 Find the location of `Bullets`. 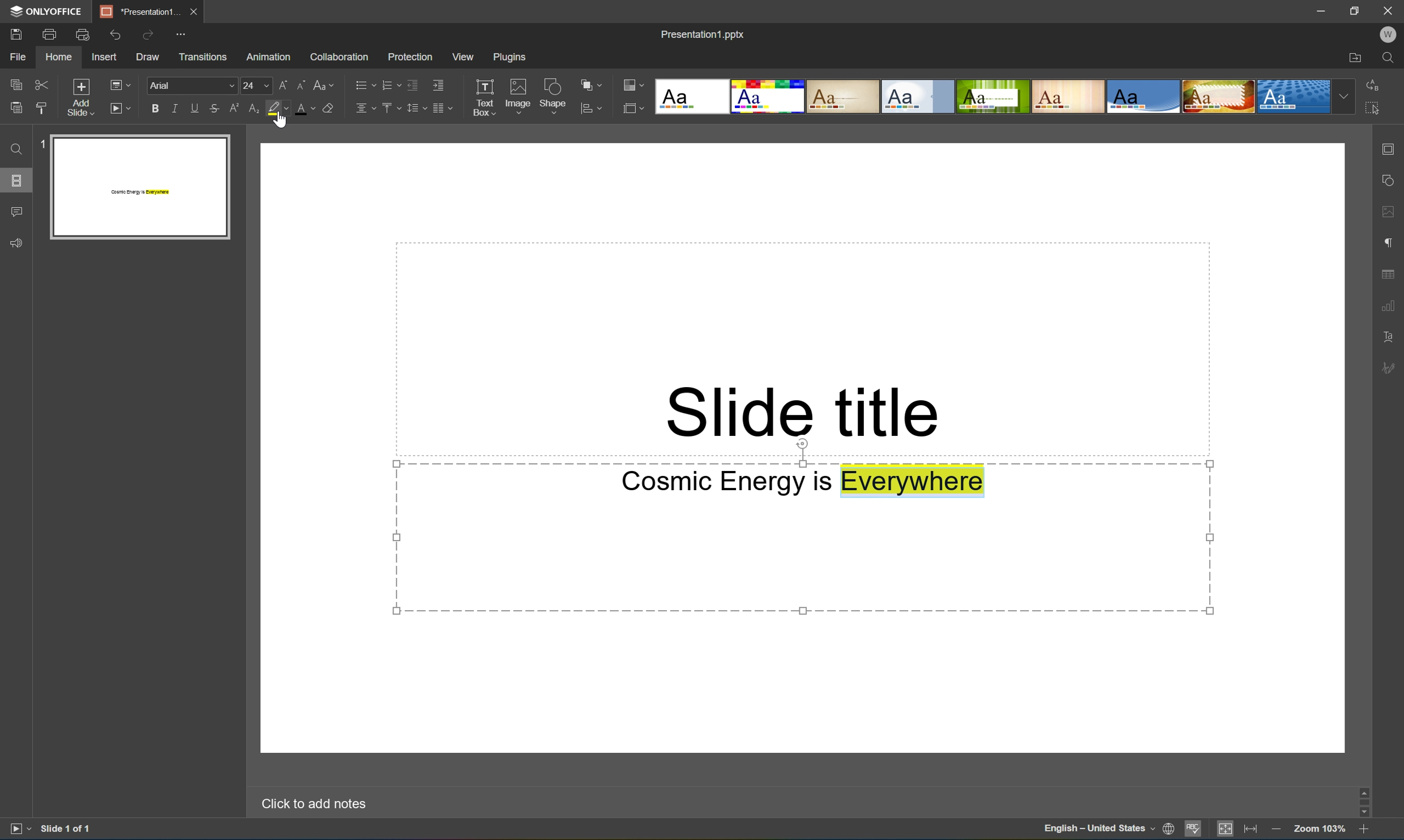

Bullets is located at coordinates (362, 84).